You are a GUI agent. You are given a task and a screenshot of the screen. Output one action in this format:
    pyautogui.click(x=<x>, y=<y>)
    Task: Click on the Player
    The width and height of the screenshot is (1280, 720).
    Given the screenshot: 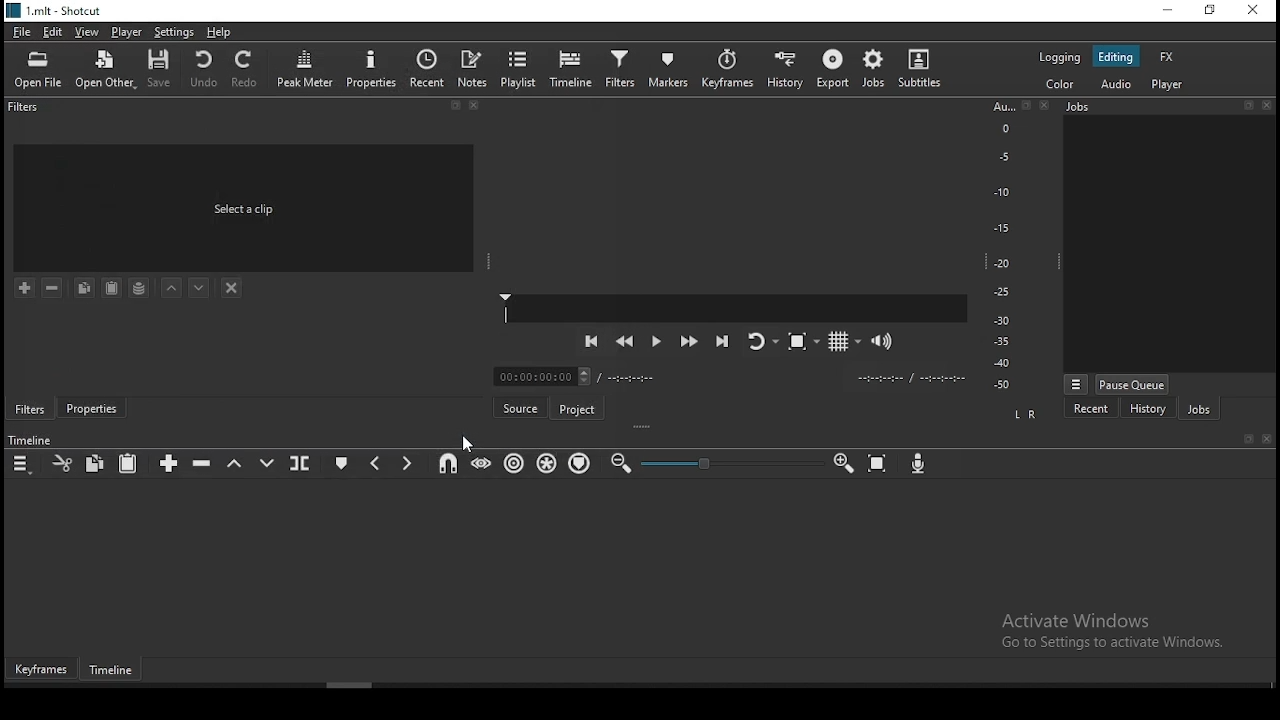 What is the action you would take?
    pyautogui.click(x=736, y=308)
    